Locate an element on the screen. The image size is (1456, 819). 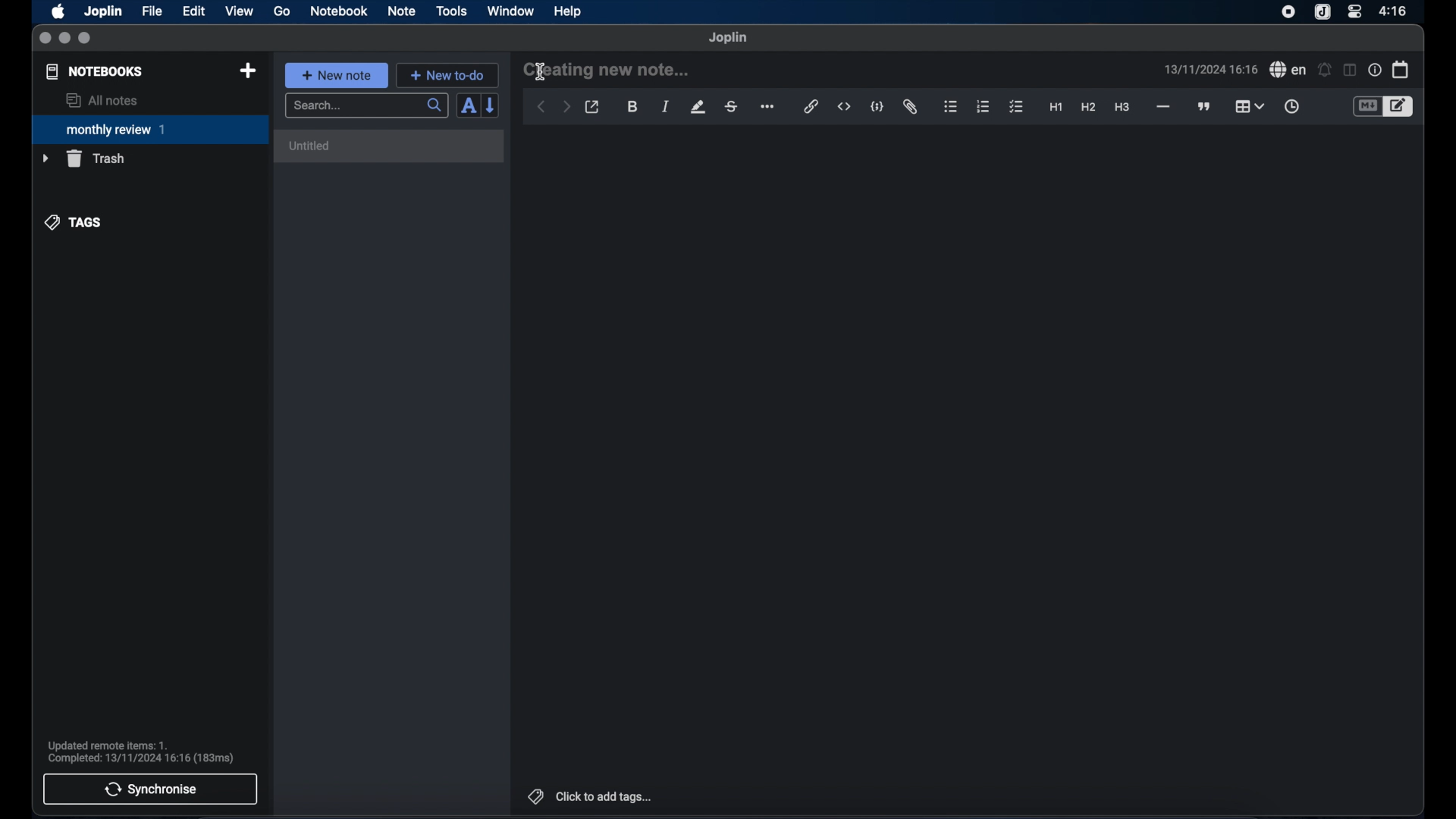
synchronise is located at coordinates (150, 789).